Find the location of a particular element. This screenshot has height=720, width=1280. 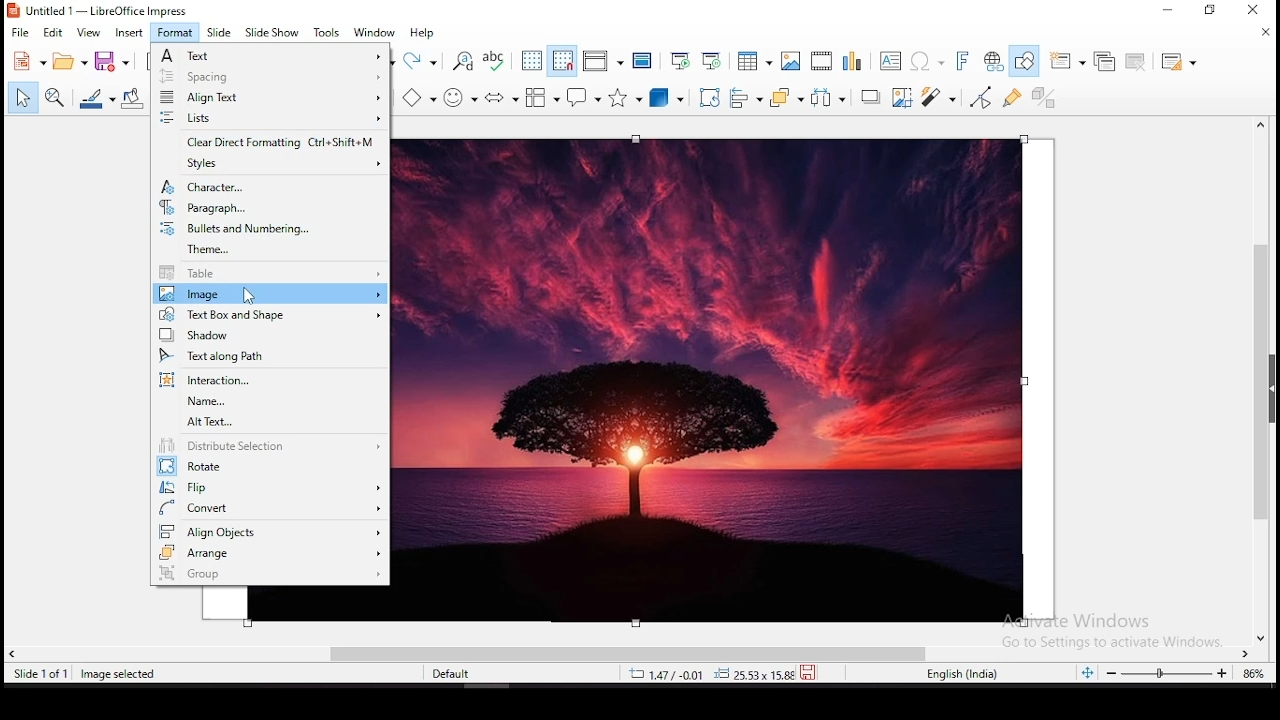

image seleted is located at coordinates (119, 675).